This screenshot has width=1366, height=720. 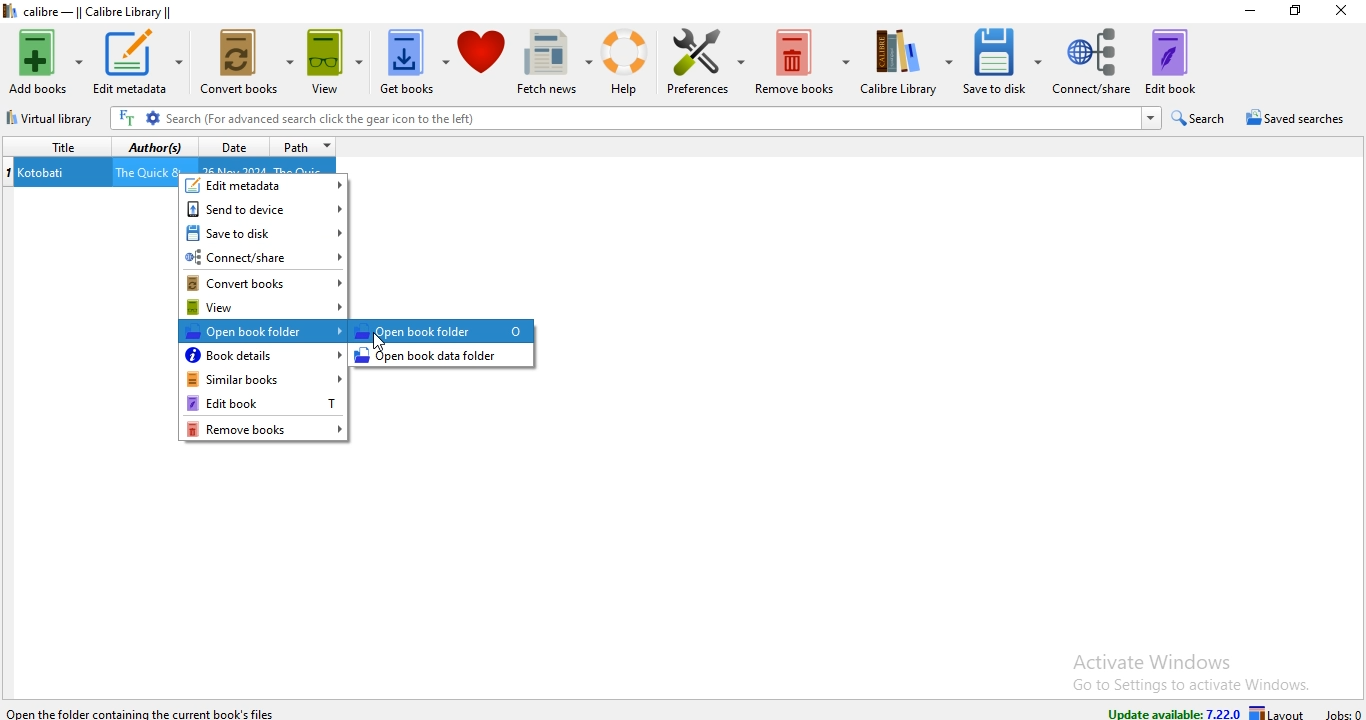 What do you see at coordinates (263, 431) in the screenshot?
I see `remove books` at bounding box center [263, 431].